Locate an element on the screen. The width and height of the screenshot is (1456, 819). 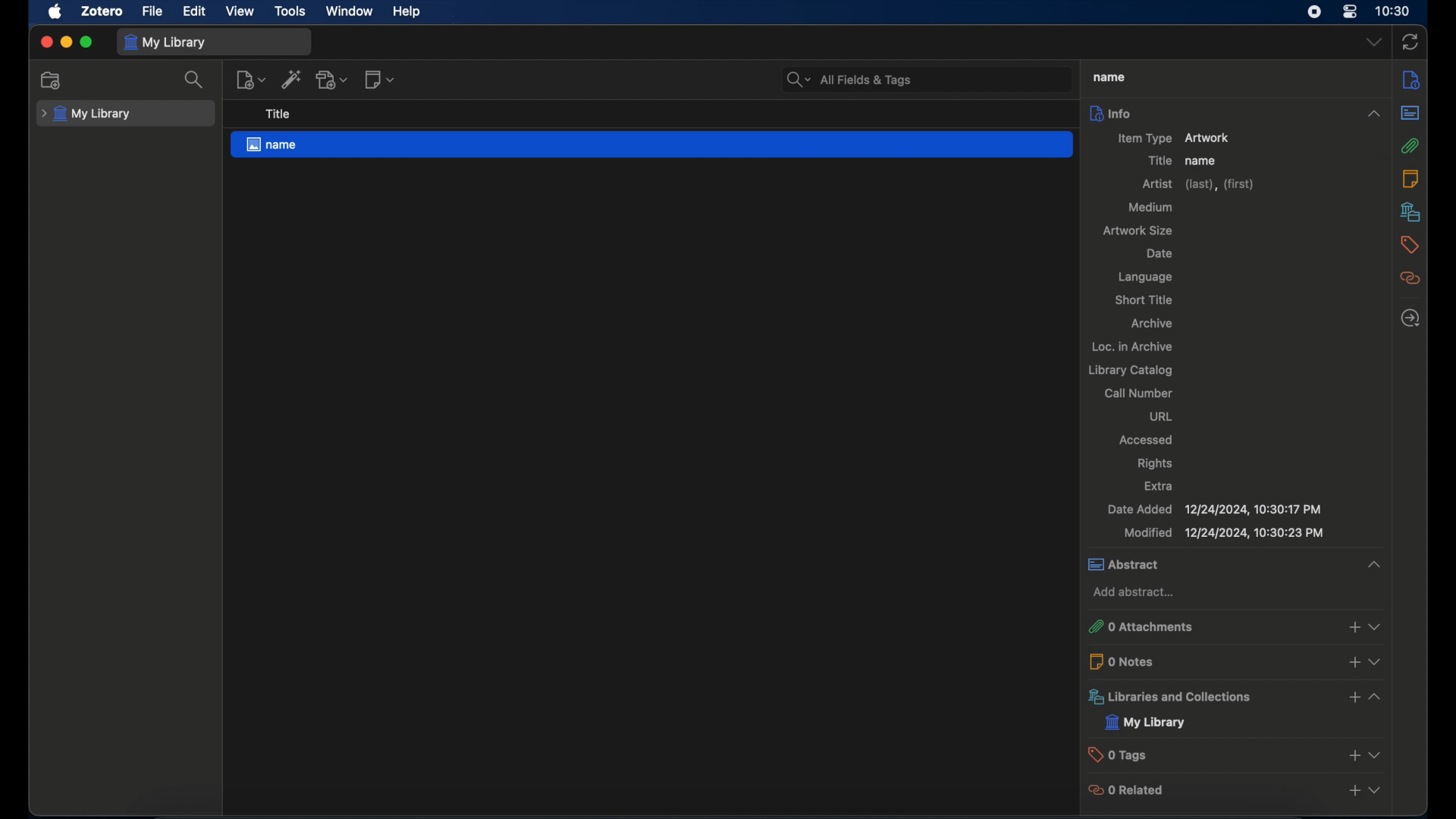
0 tags is located at coordinates (1156, 755).